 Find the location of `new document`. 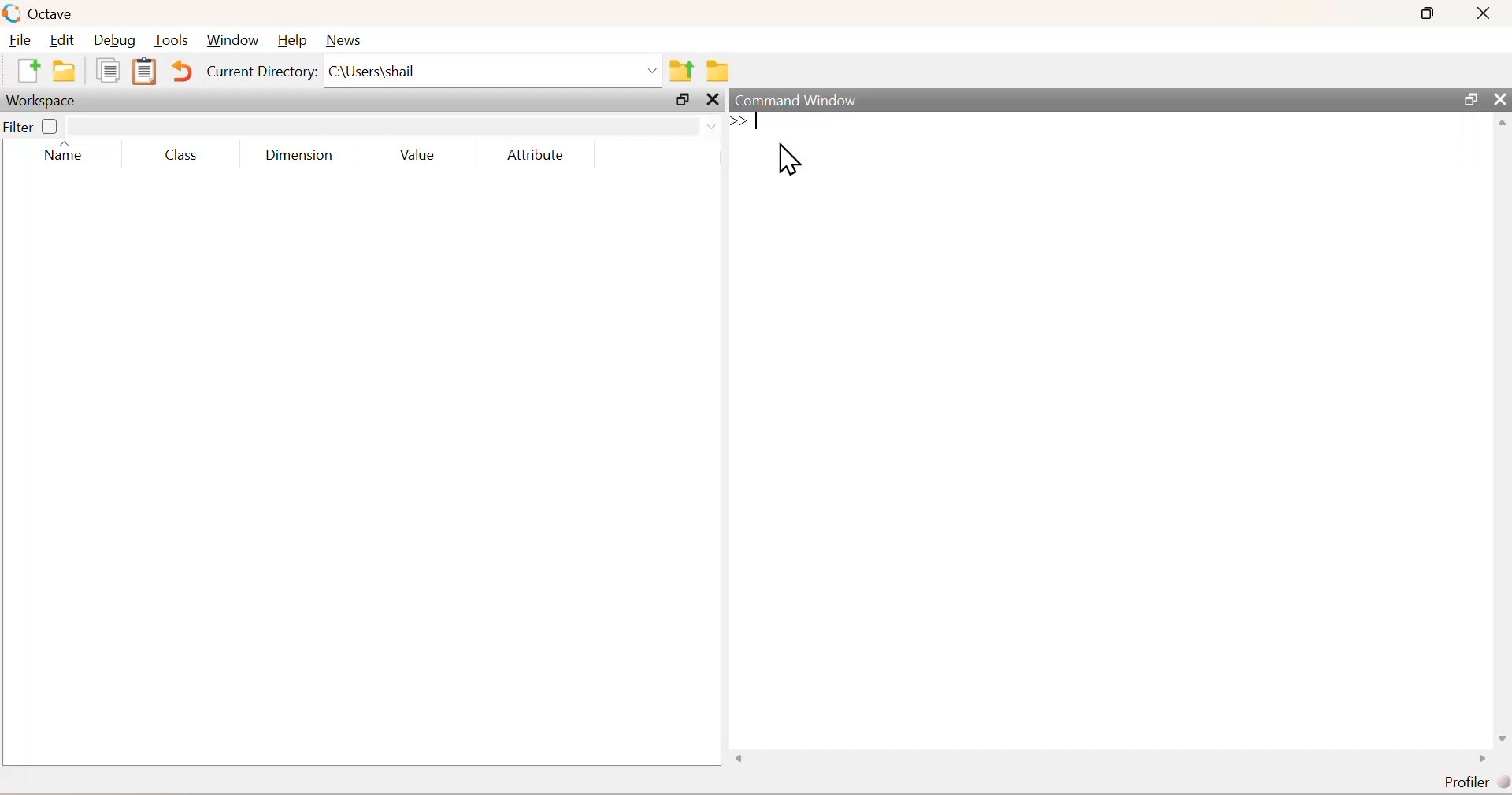

new document is located at coordinates (28, 72).